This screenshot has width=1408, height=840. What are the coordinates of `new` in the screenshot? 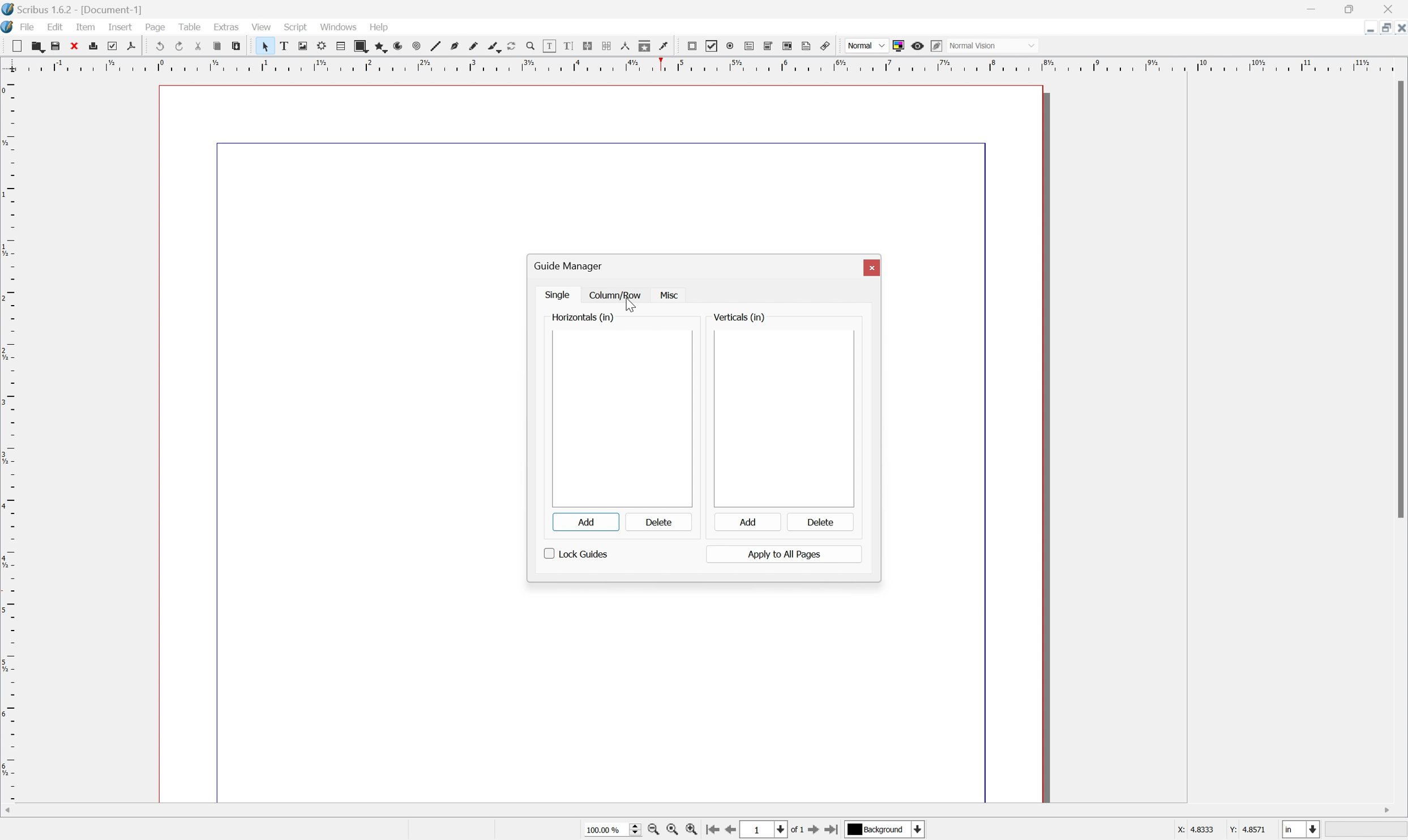 It's located at (19, 47).